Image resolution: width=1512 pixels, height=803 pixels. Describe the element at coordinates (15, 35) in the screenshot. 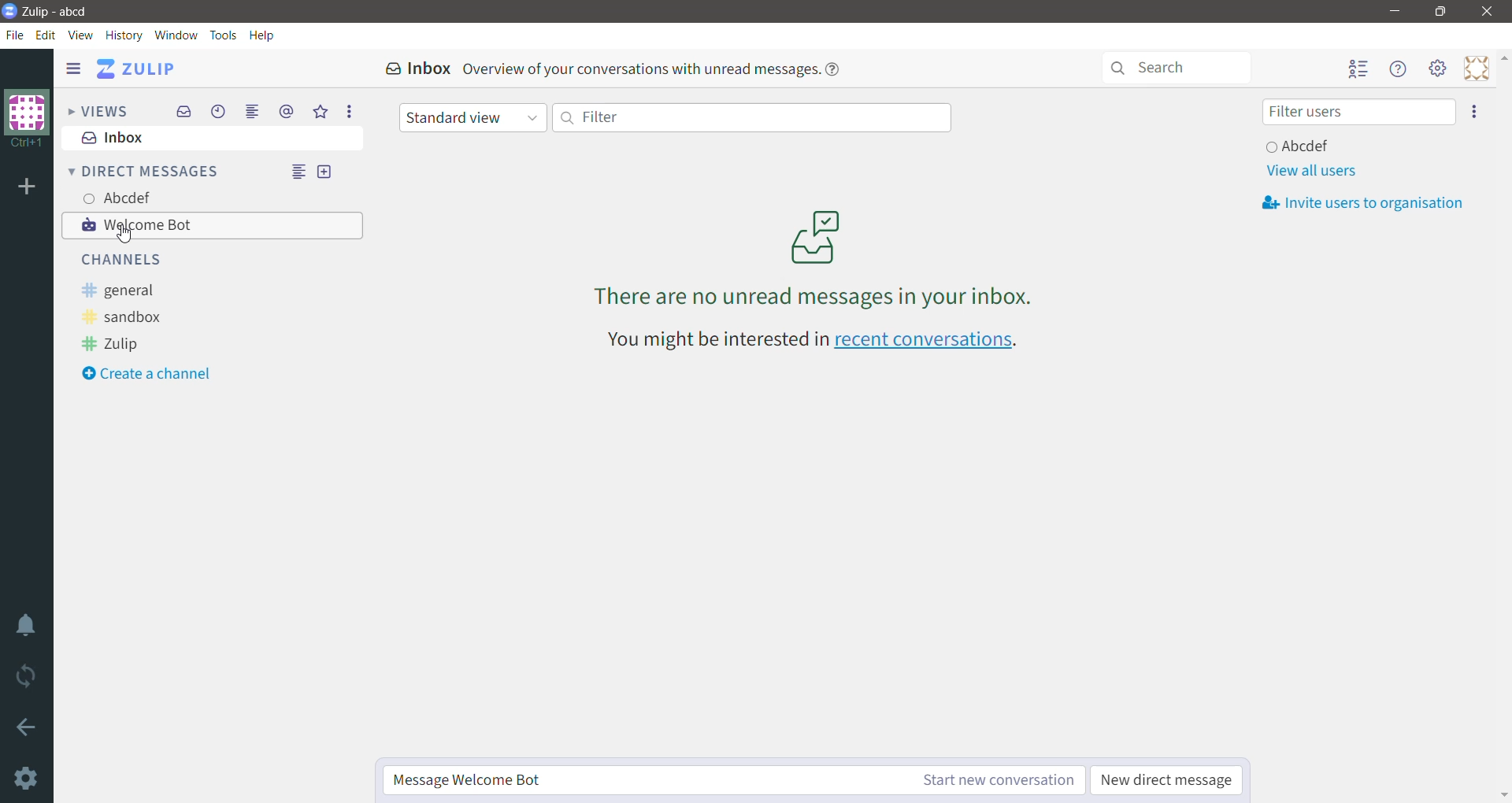

I see `File` at that location.